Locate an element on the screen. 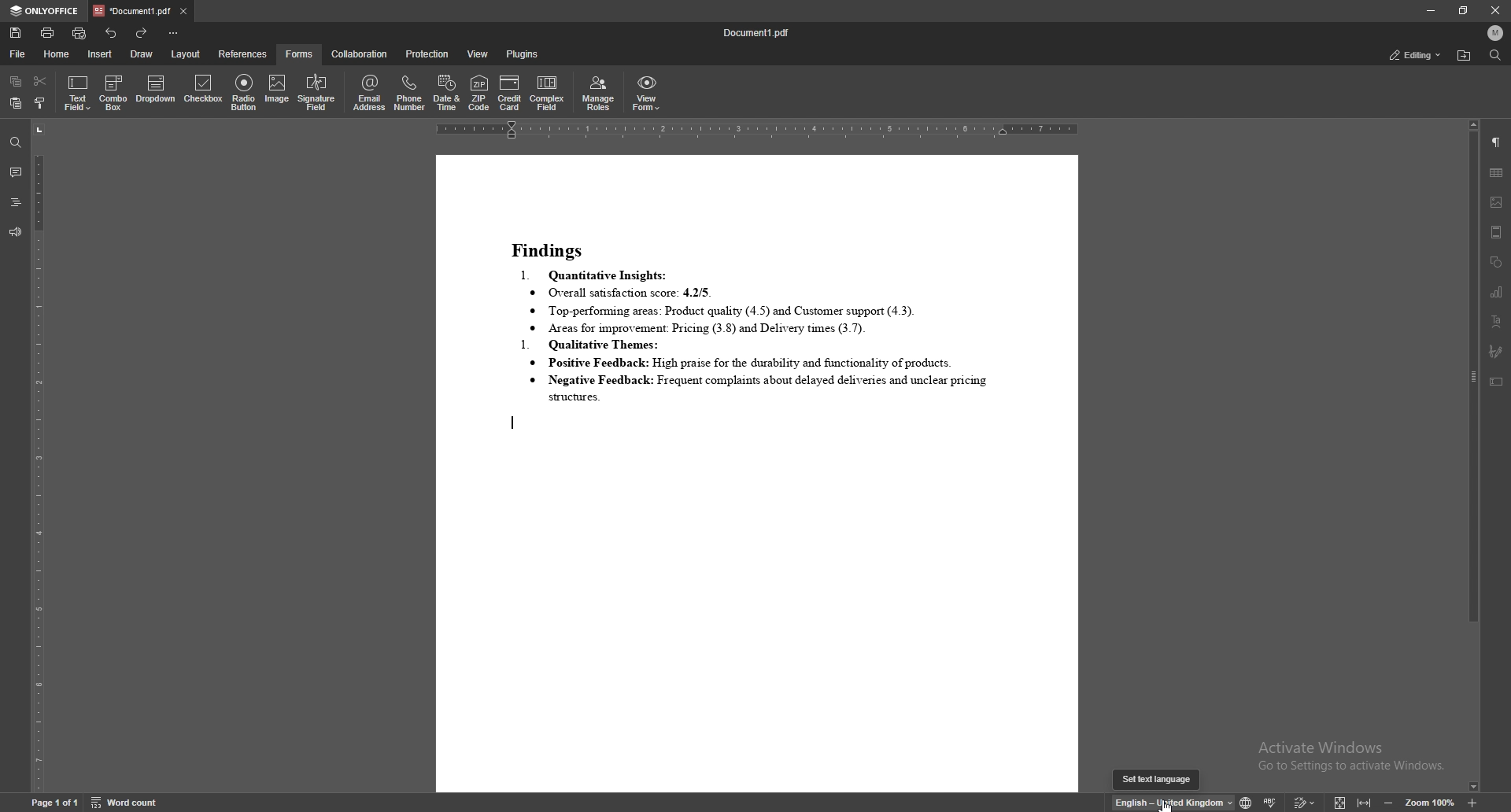 Image resolution: width=1511 pixels, height=812 pixels. dropdown is located at coordinates (156, 90).